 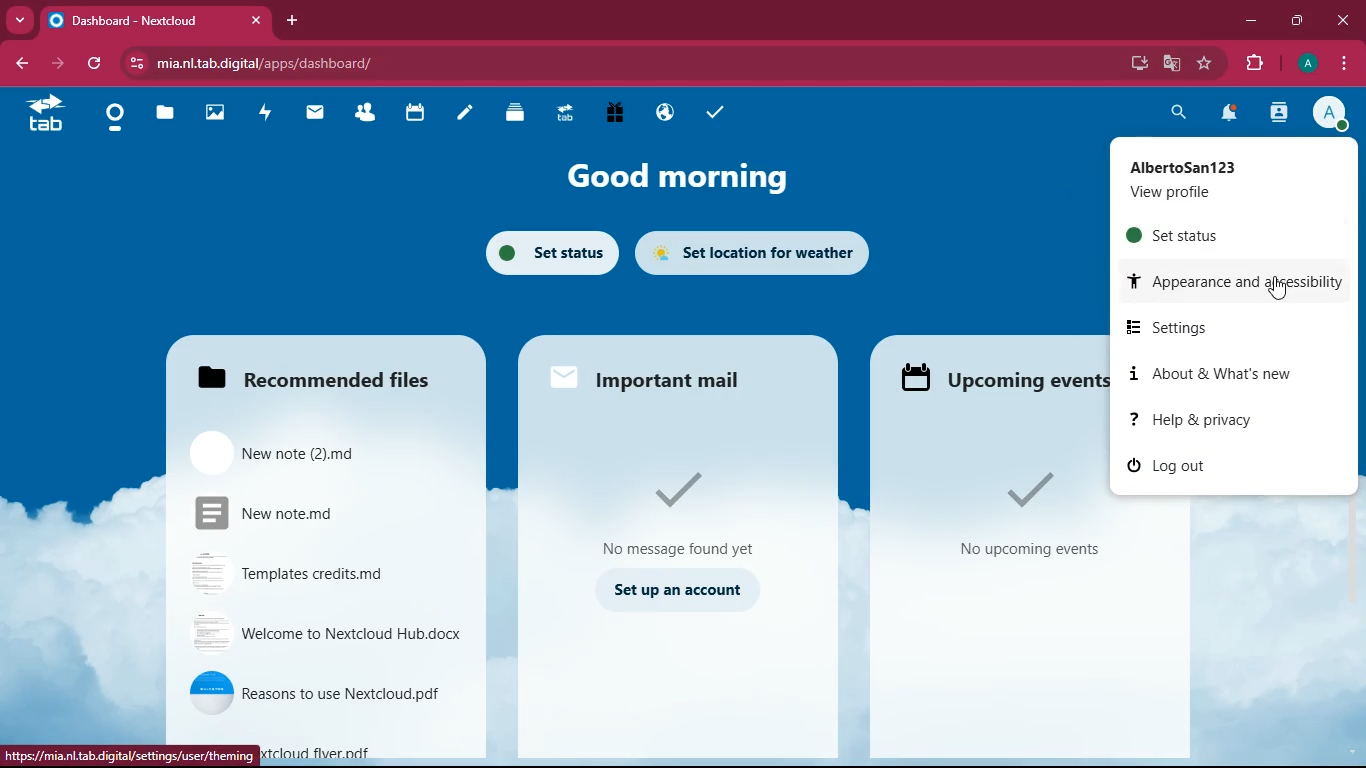 What do you see at coordinates (96, 64) in the screenshot?
I see `refresh` at bounding box center [96, 64].